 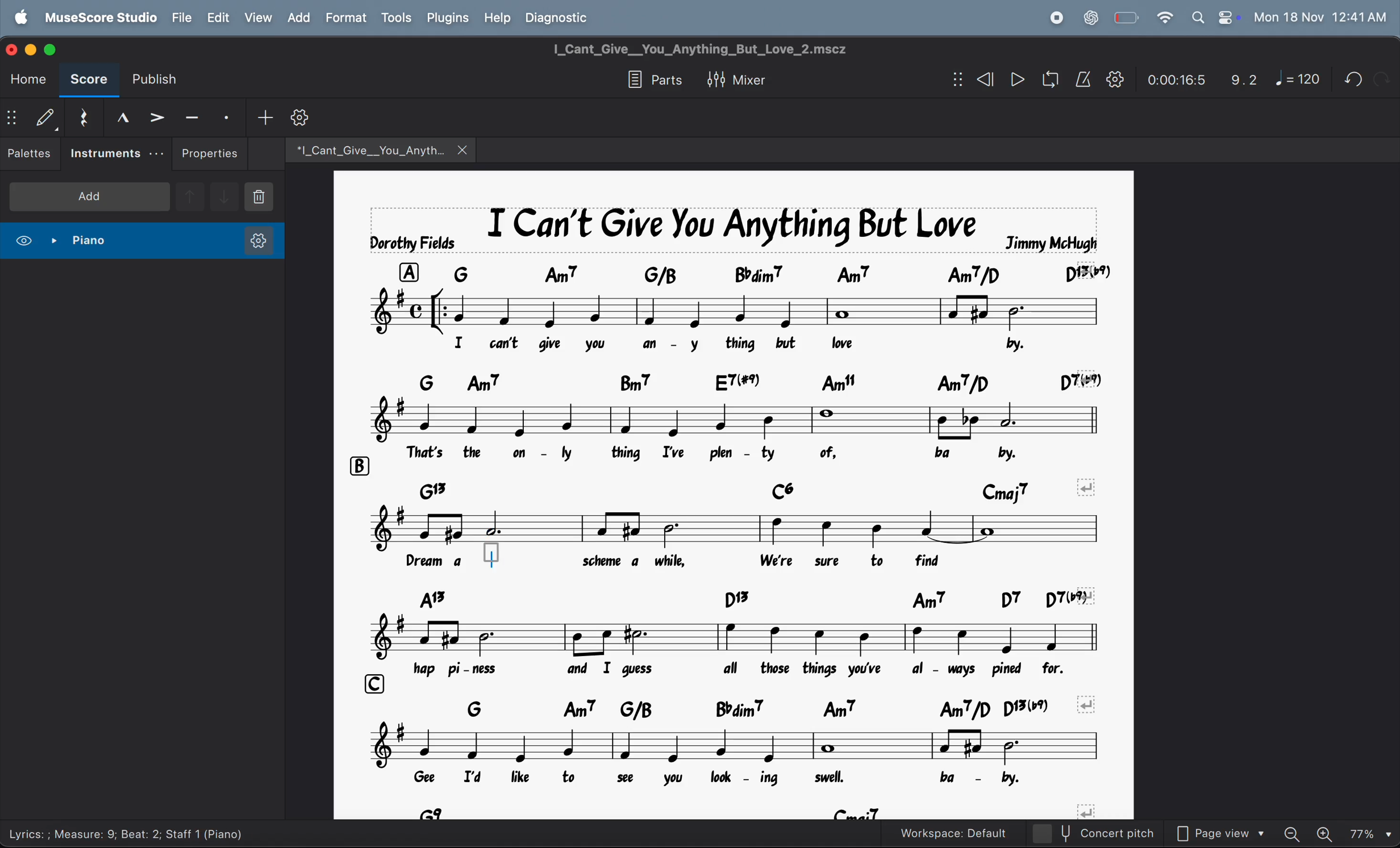 I want to click on go downward, so click(x=226, y=195).